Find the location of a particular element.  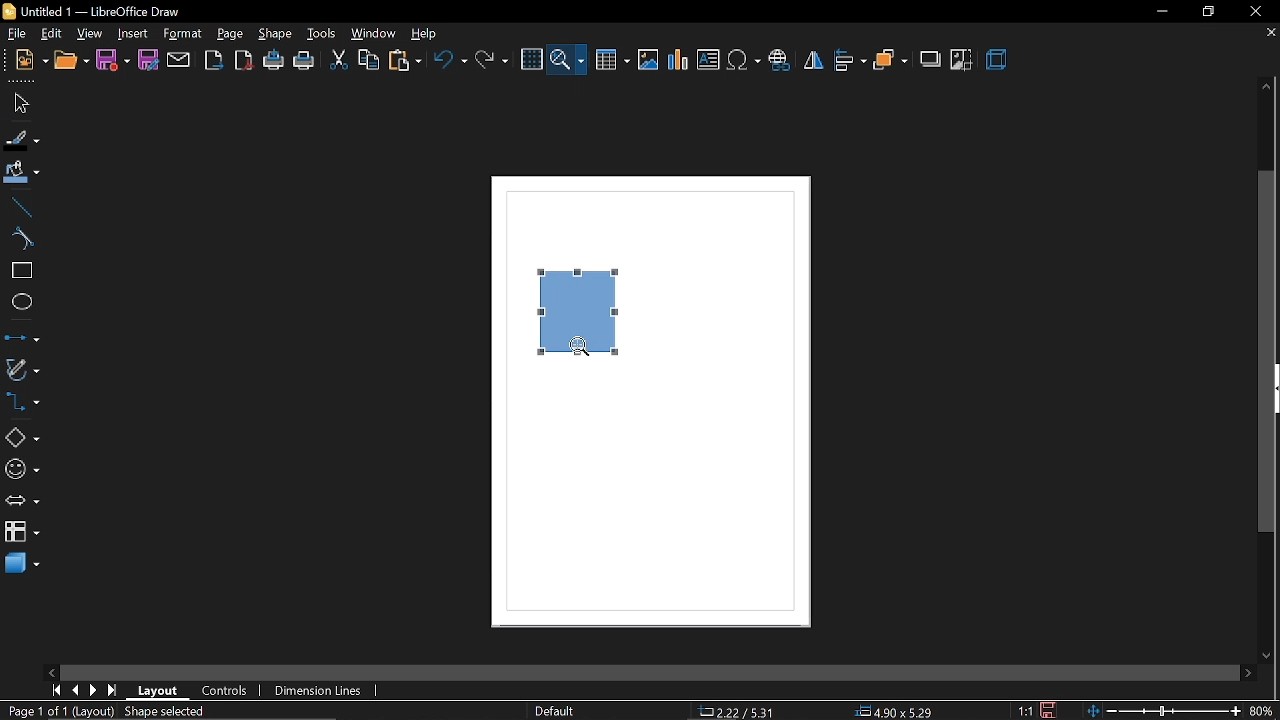

Insert chart is located at coordinates (678, 61).